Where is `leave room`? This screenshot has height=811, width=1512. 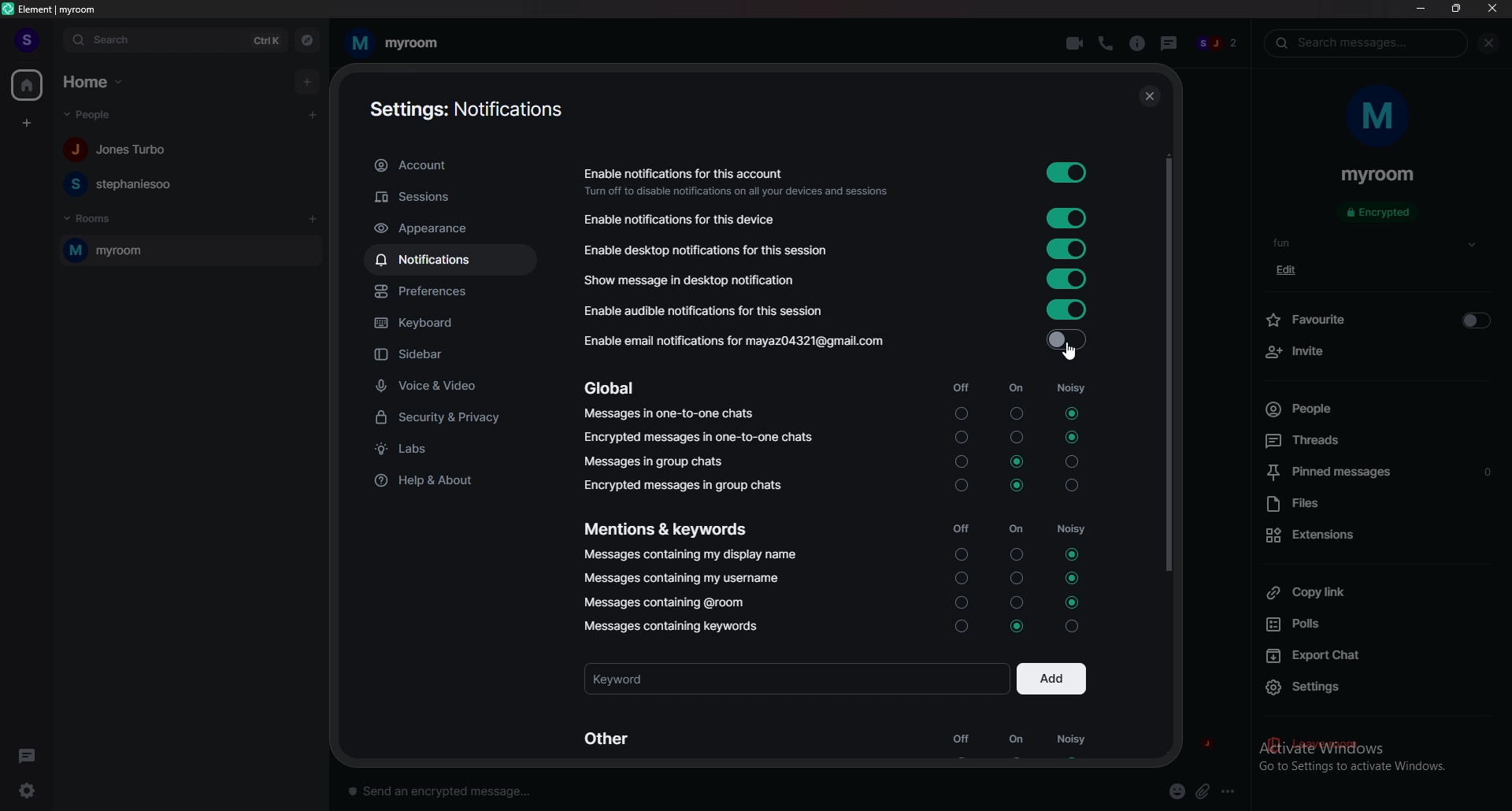
leave room is located at coordinates (1377, 746).